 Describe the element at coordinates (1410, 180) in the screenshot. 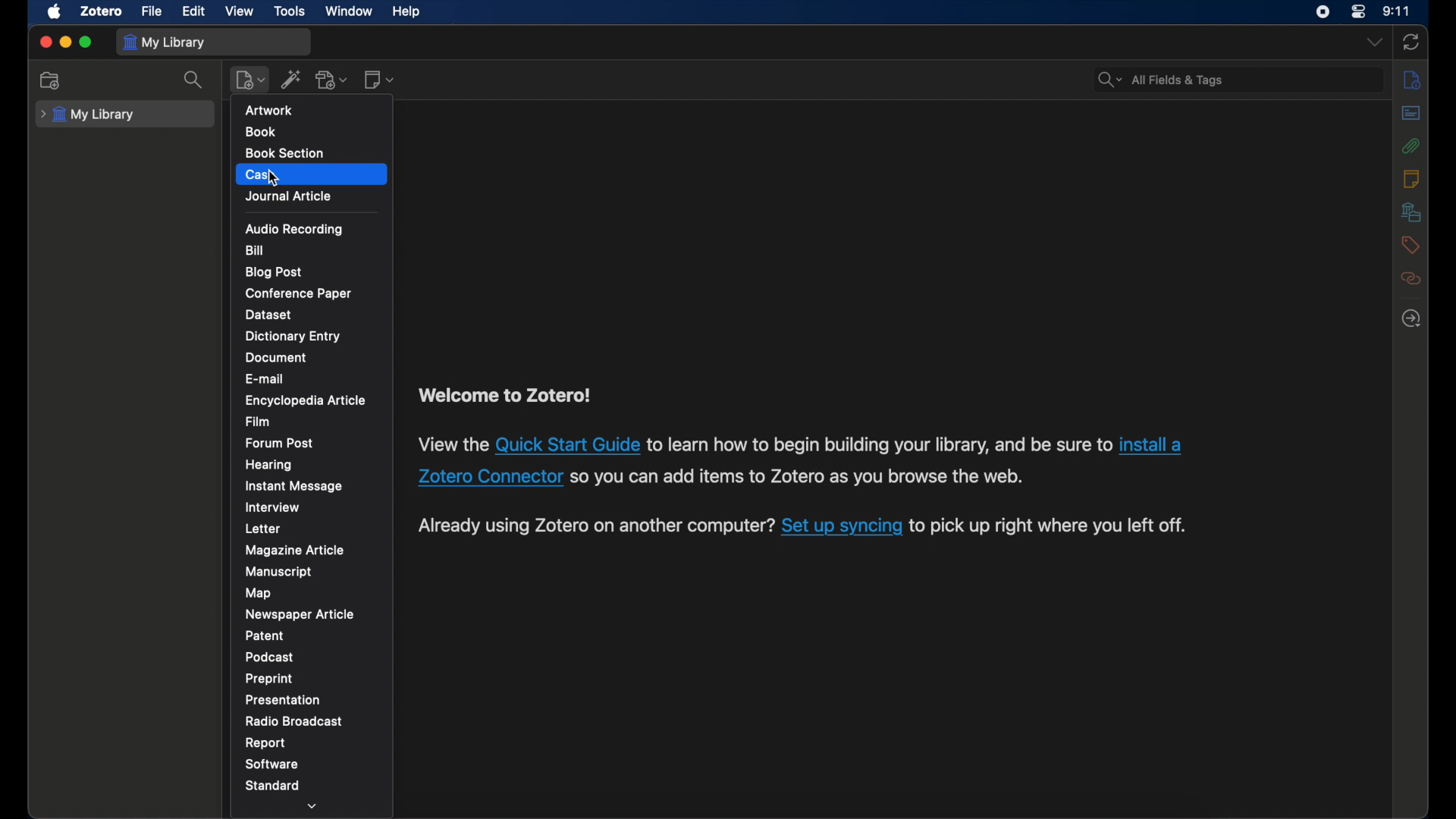

I see `notes` at that location.